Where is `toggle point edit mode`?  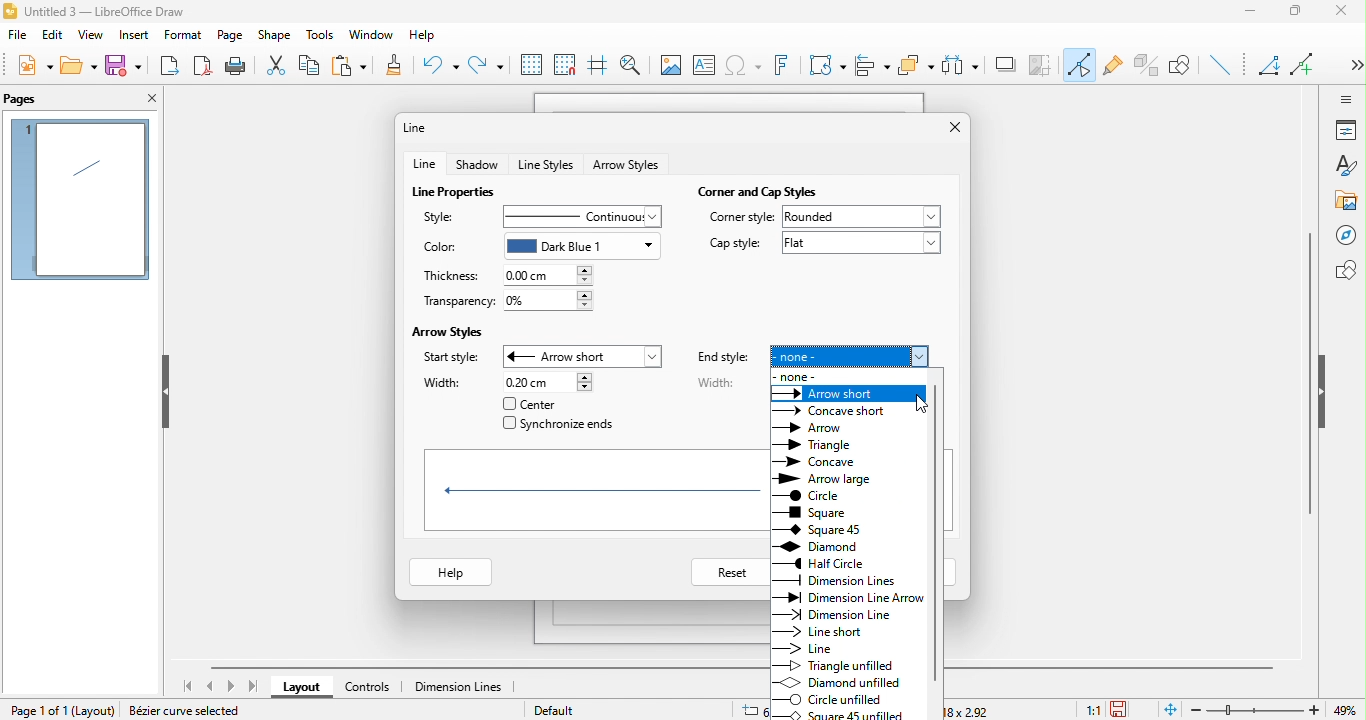 toggle point edit mode is located at coordinates (1081, 67).